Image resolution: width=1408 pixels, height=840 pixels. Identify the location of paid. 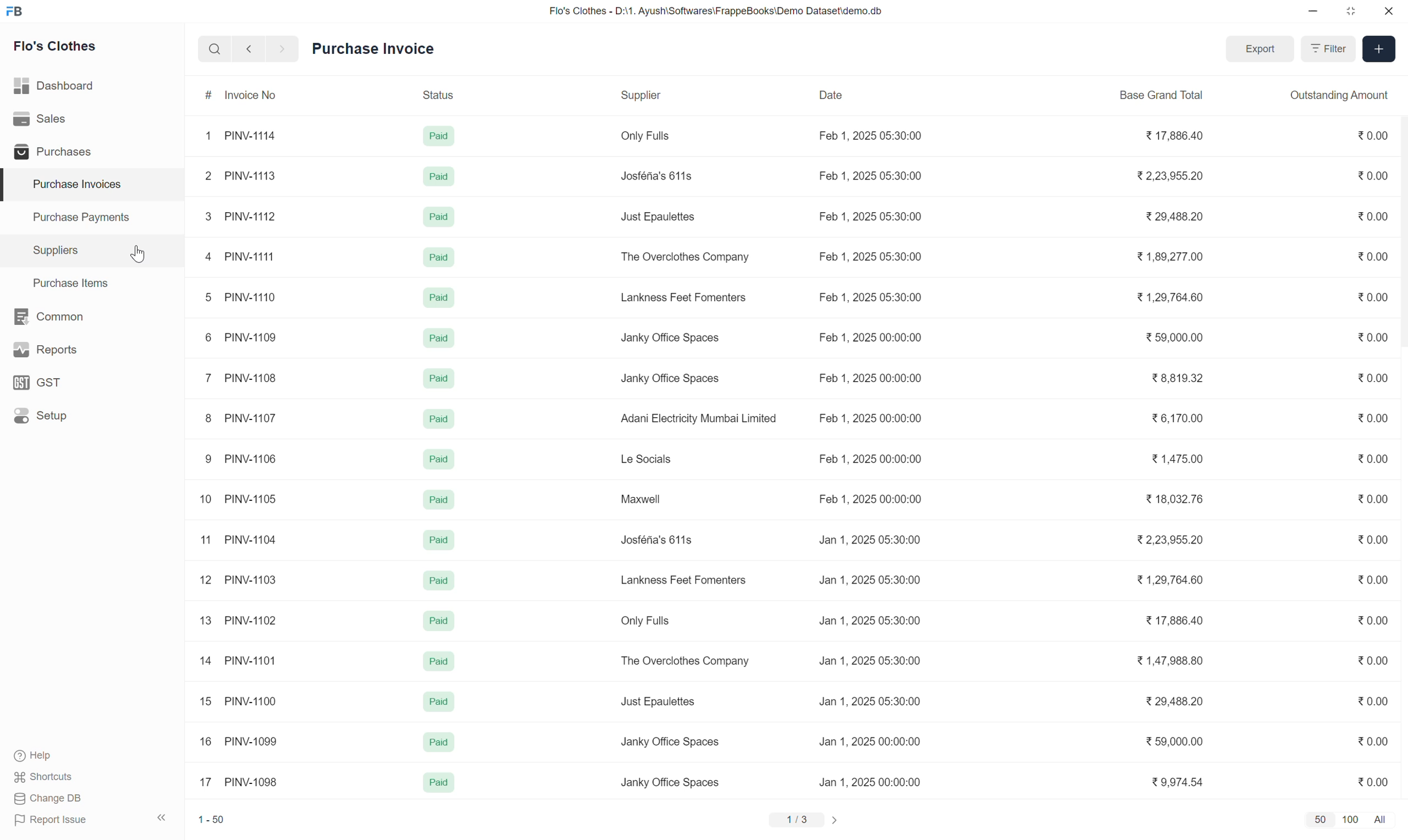
(439, 298).